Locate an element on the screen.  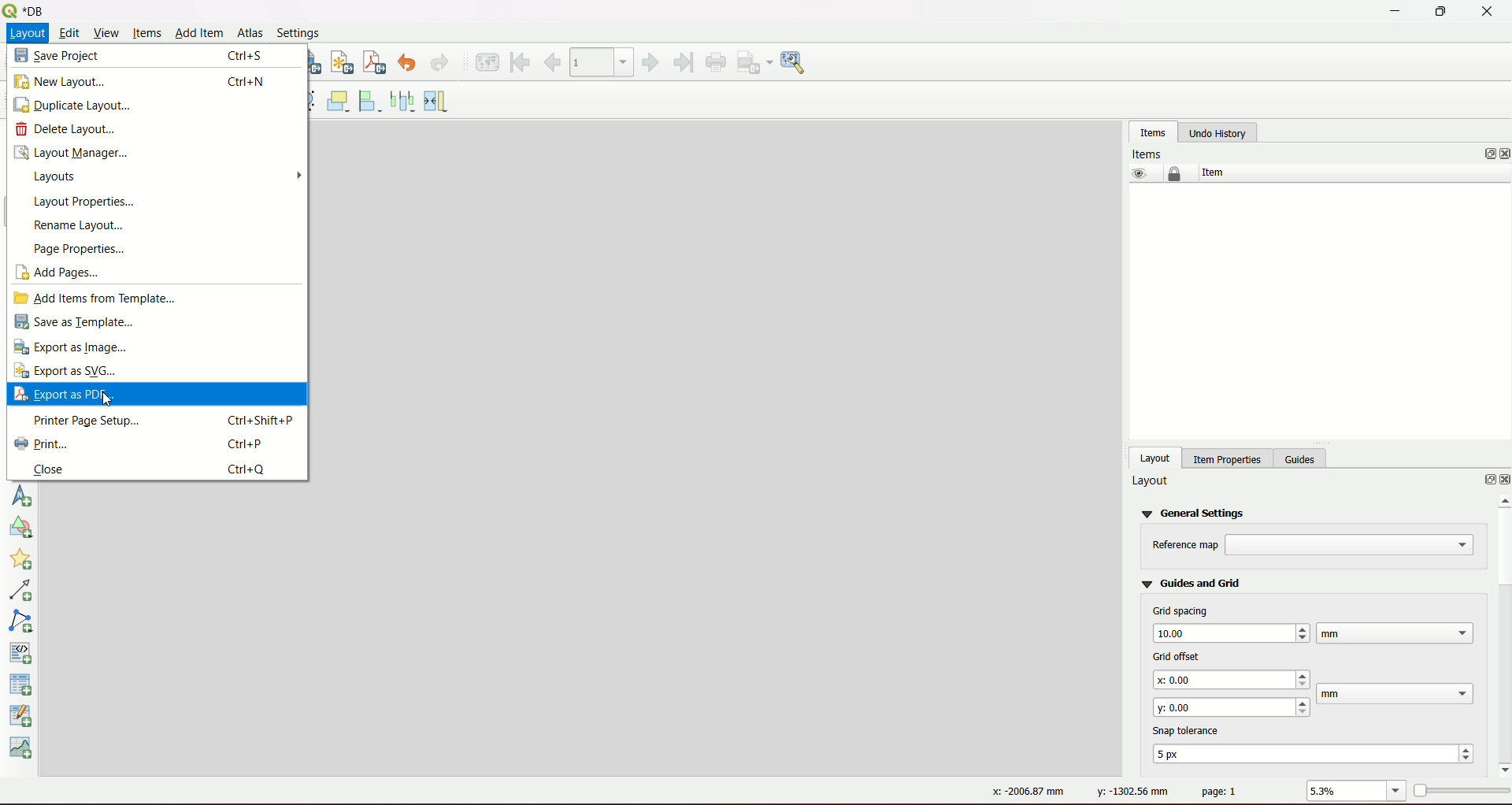
export as SVG is located at coordinates (61, 369).